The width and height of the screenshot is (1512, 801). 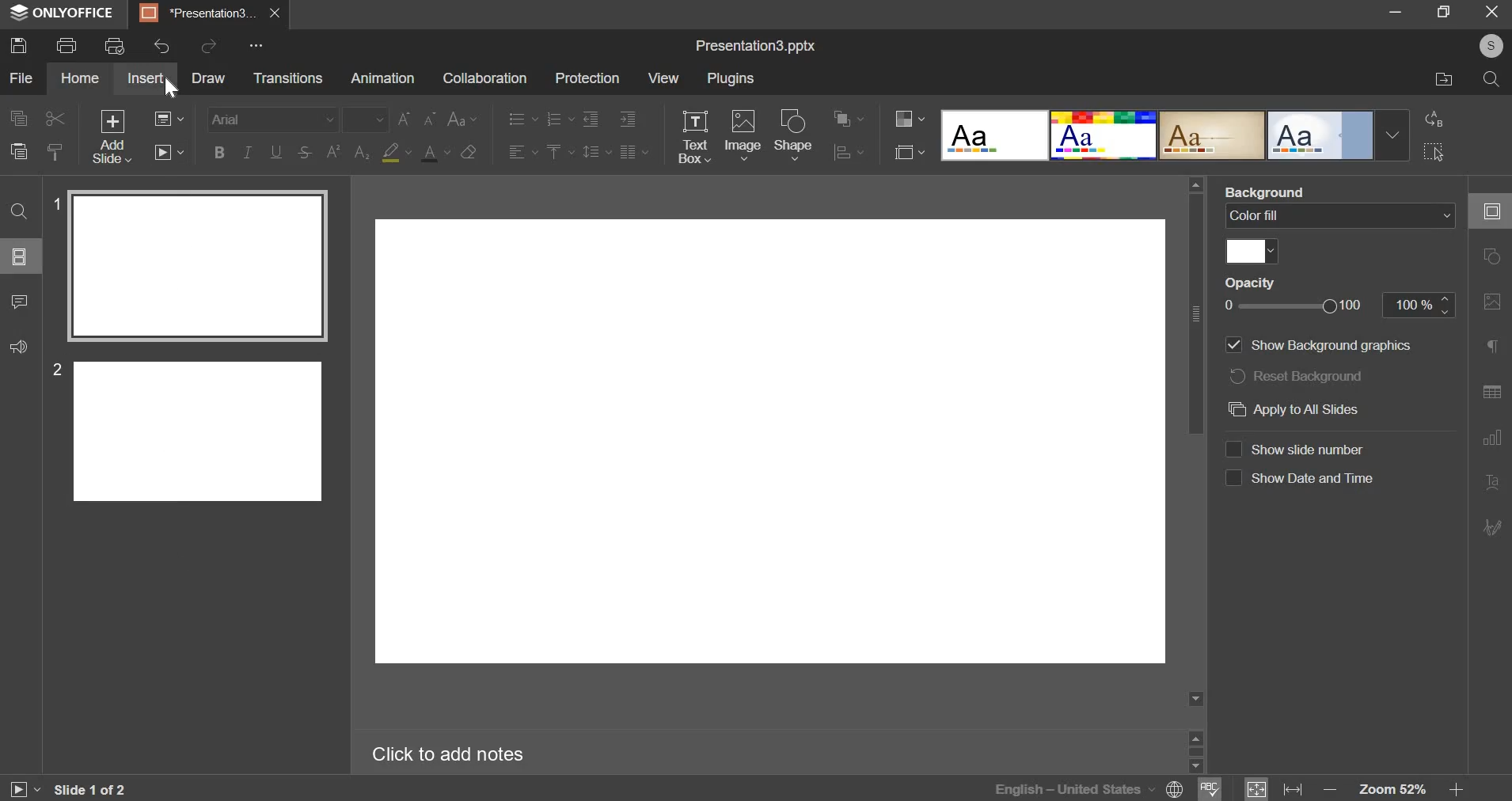 I want to click on editor, so click(x=771, y=445).